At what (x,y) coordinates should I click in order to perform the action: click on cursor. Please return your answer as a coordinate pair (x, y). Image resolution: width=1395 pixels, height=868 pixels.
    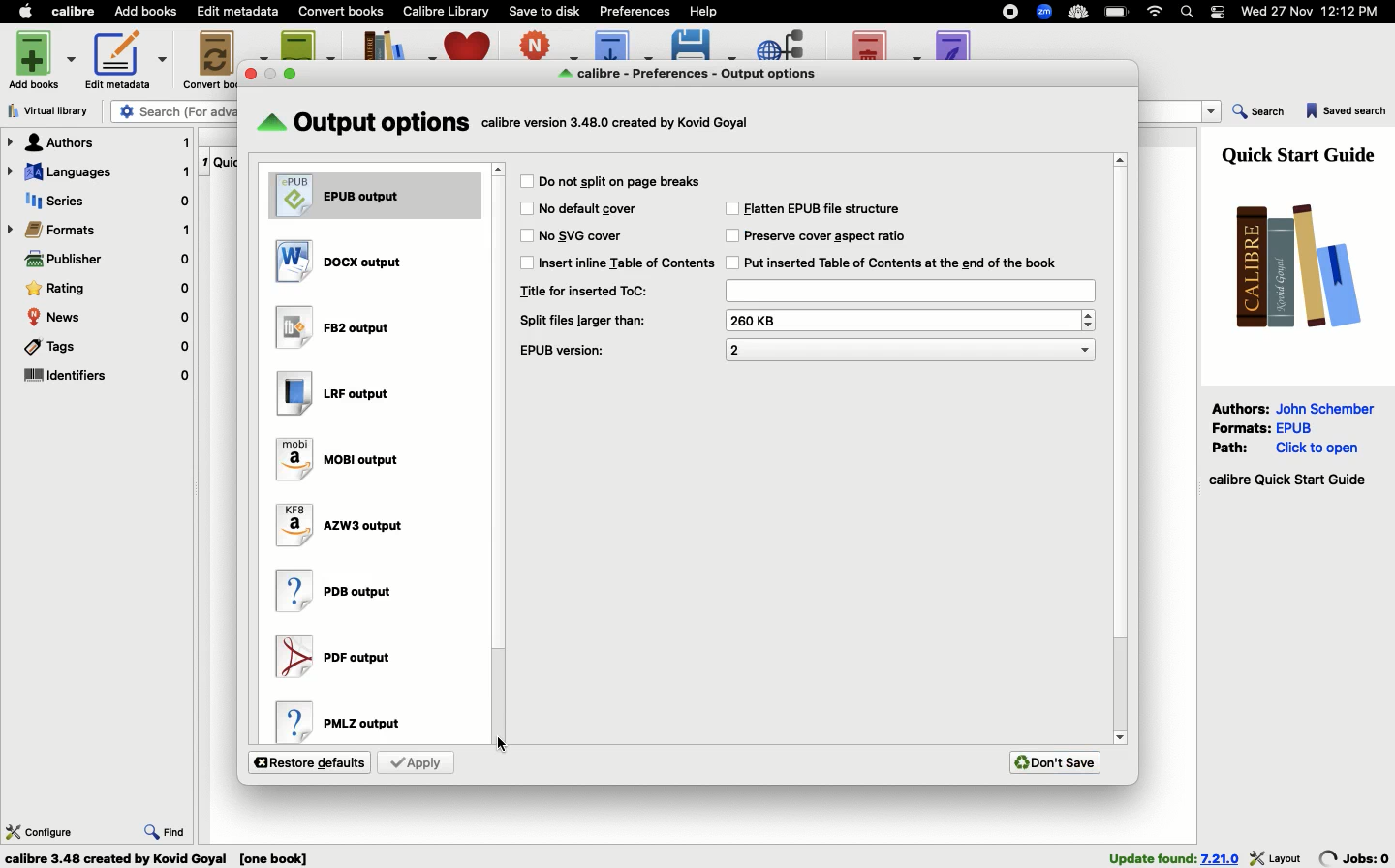
    Looking at the image, I should click on (503, 744).